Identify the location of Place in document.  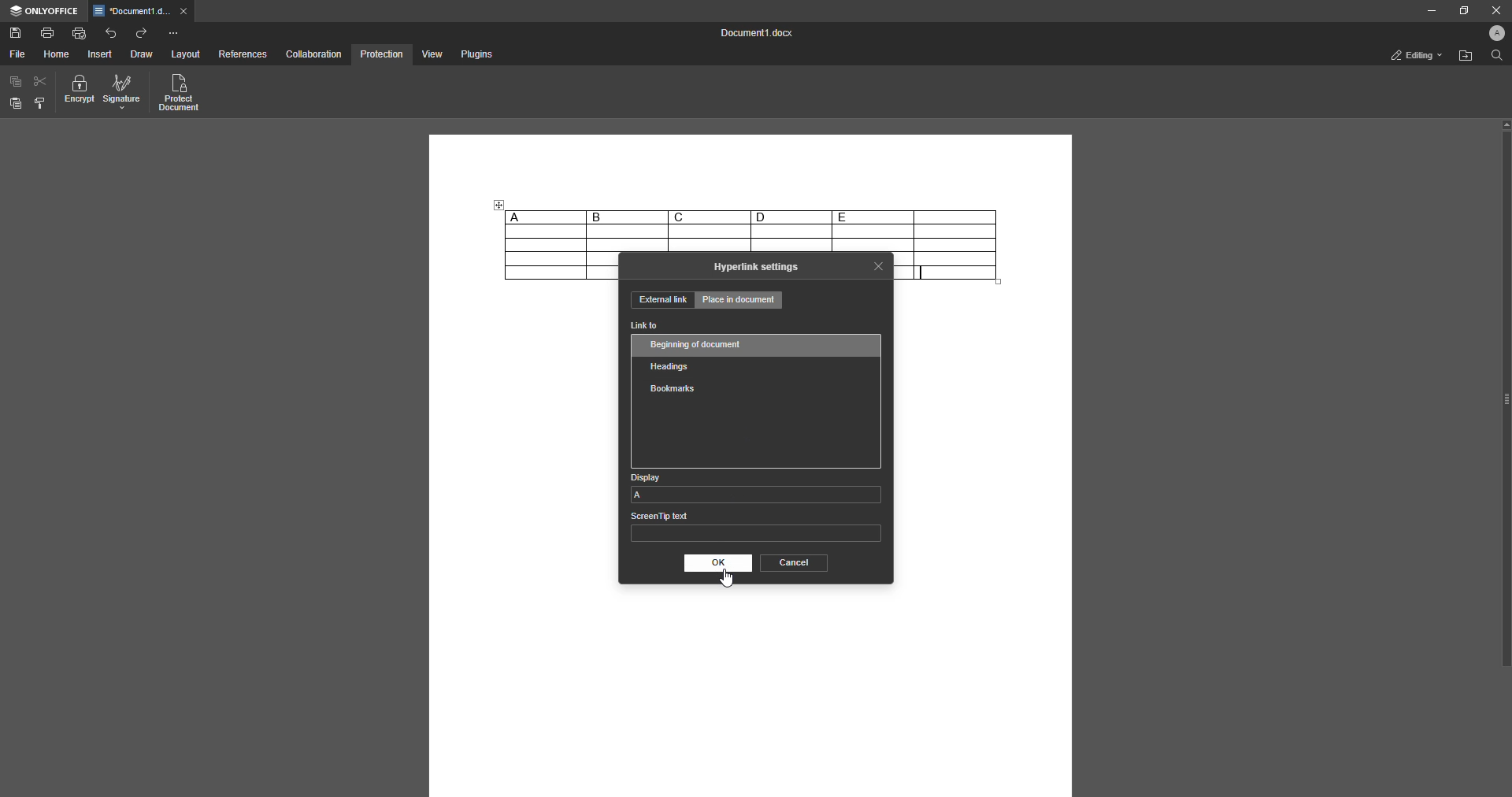
(740, 302).